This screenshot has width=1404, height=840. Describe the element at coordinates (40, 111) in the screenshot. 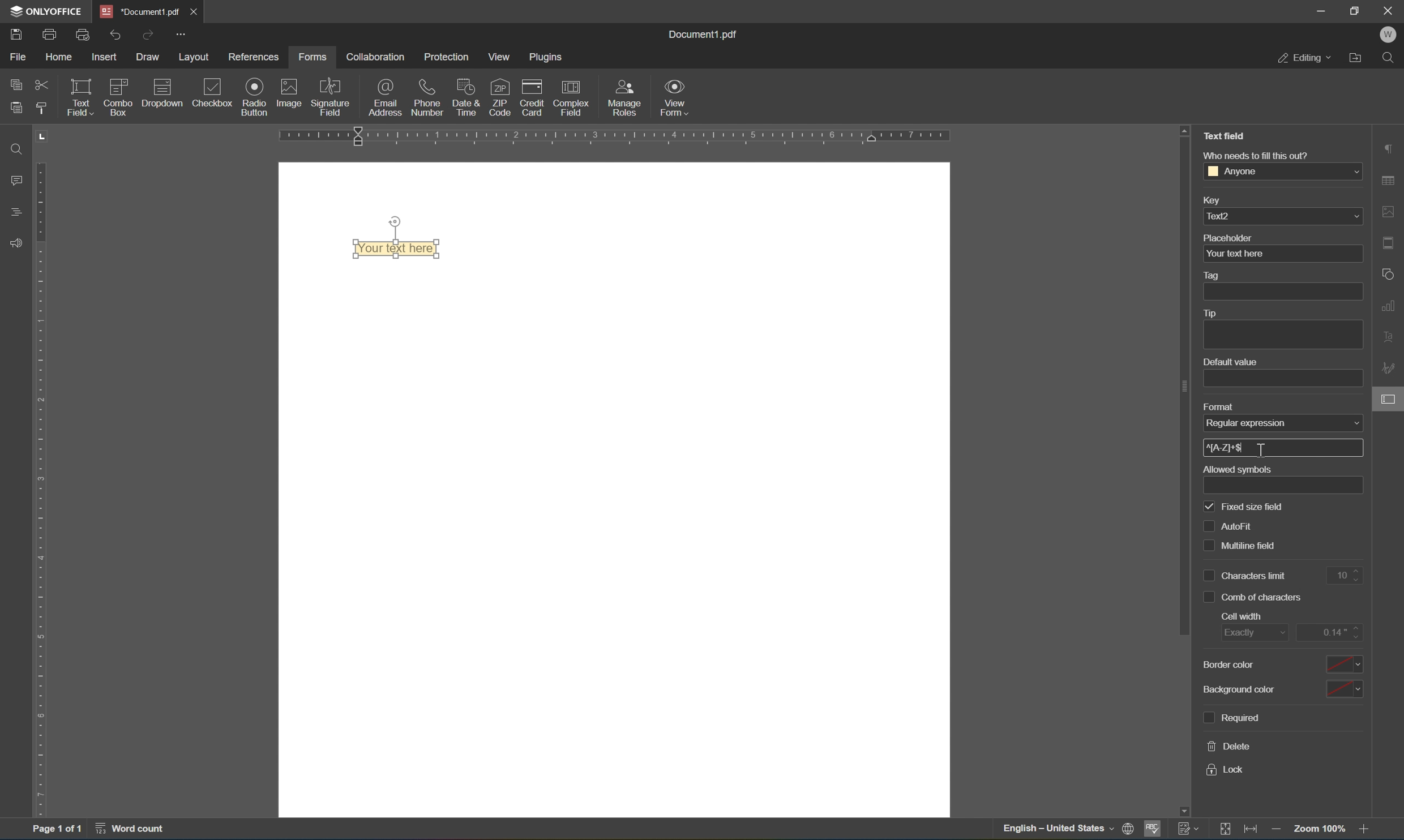

I see `copy style` at that location.